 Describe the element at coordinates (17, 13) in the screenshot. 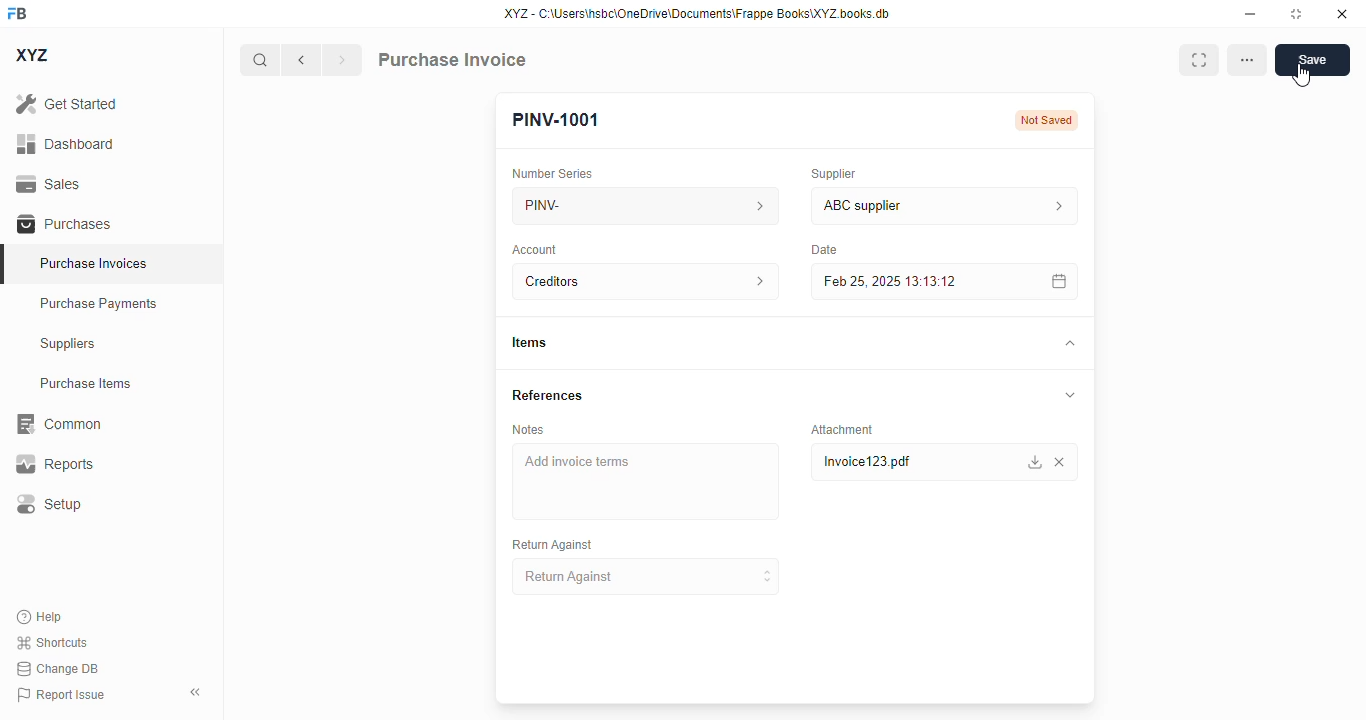

I see `FB - logo` at that location.